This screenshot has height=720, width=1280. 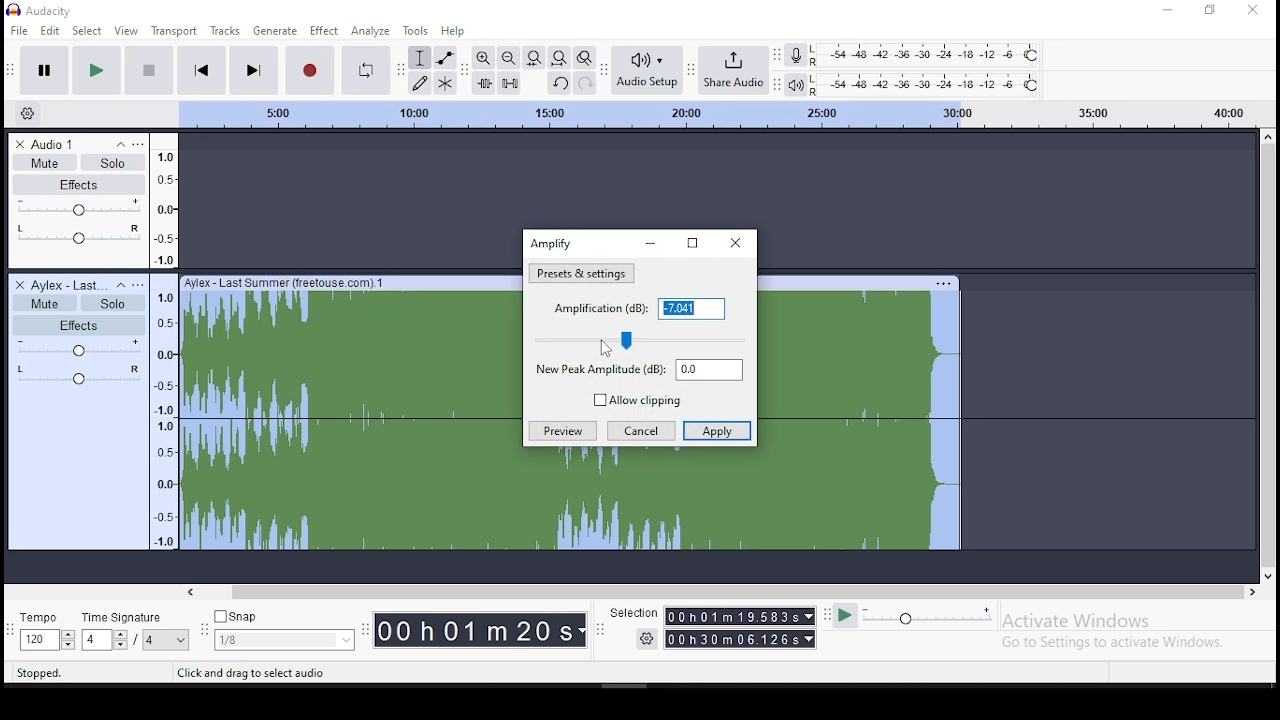 I want to click on edit, so click(x=50, y=31).